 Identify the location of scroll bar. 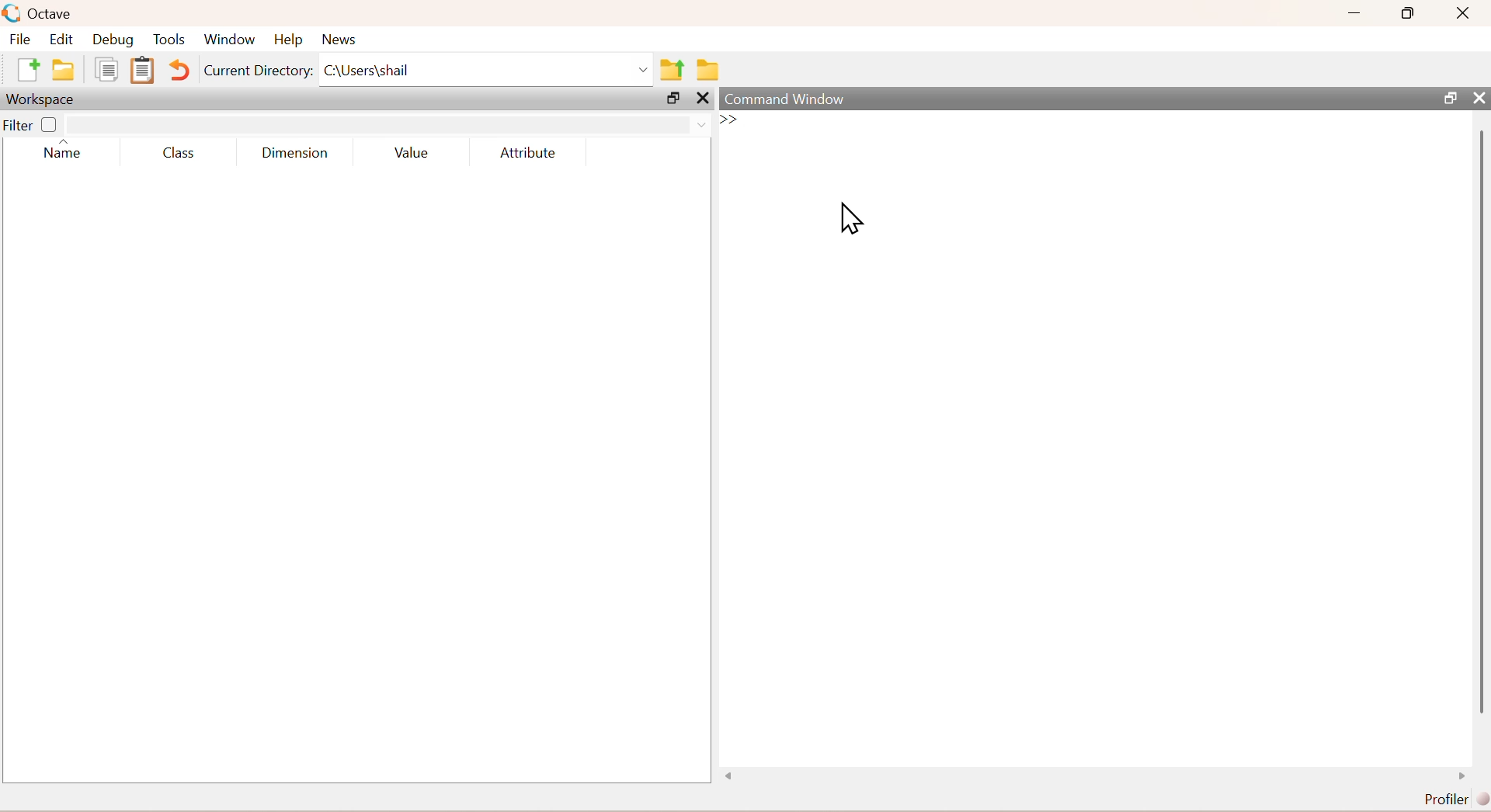
(1481, 425).